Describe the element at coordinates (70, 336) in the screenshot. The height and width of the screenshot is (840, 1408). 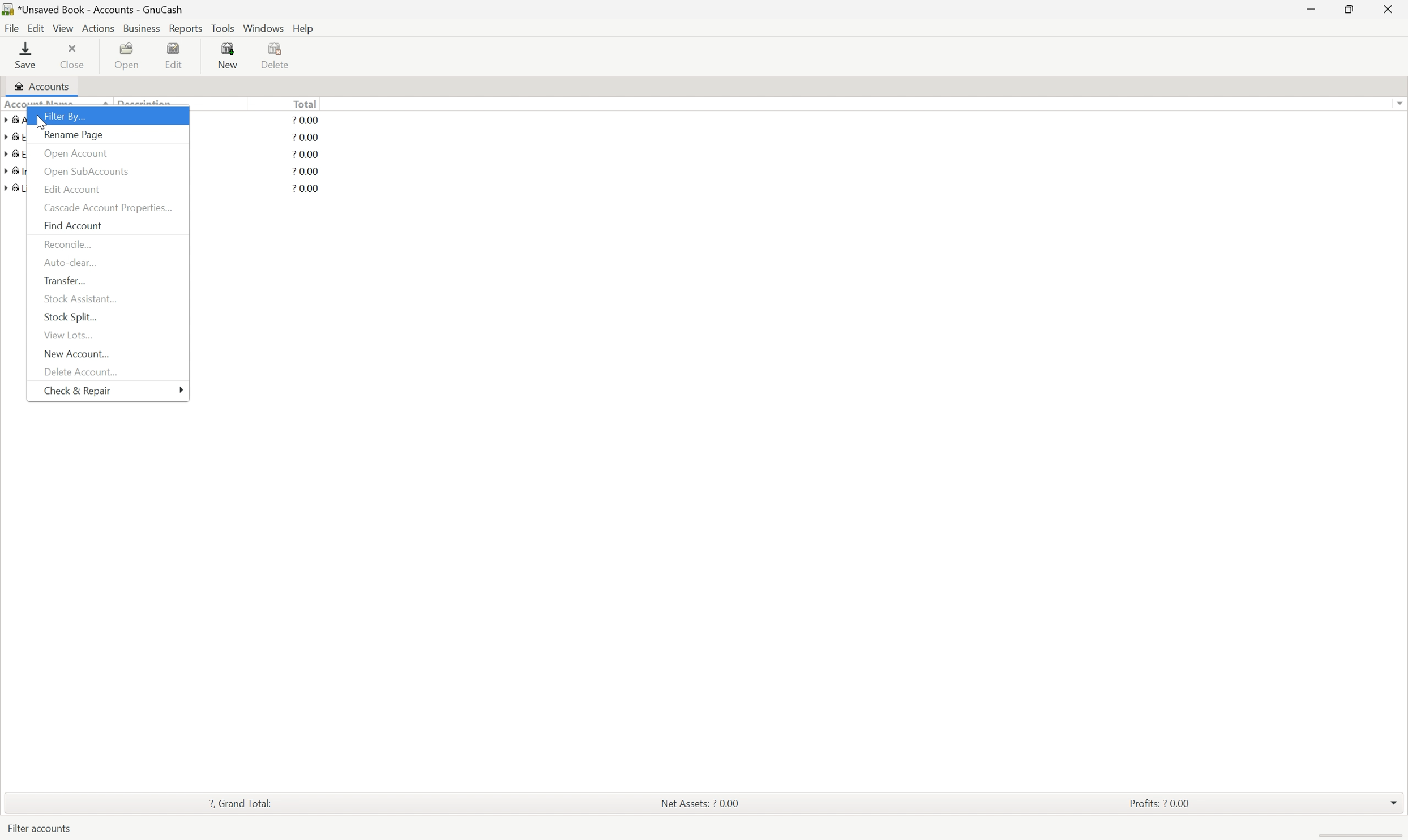
I see `View lots` at that location.